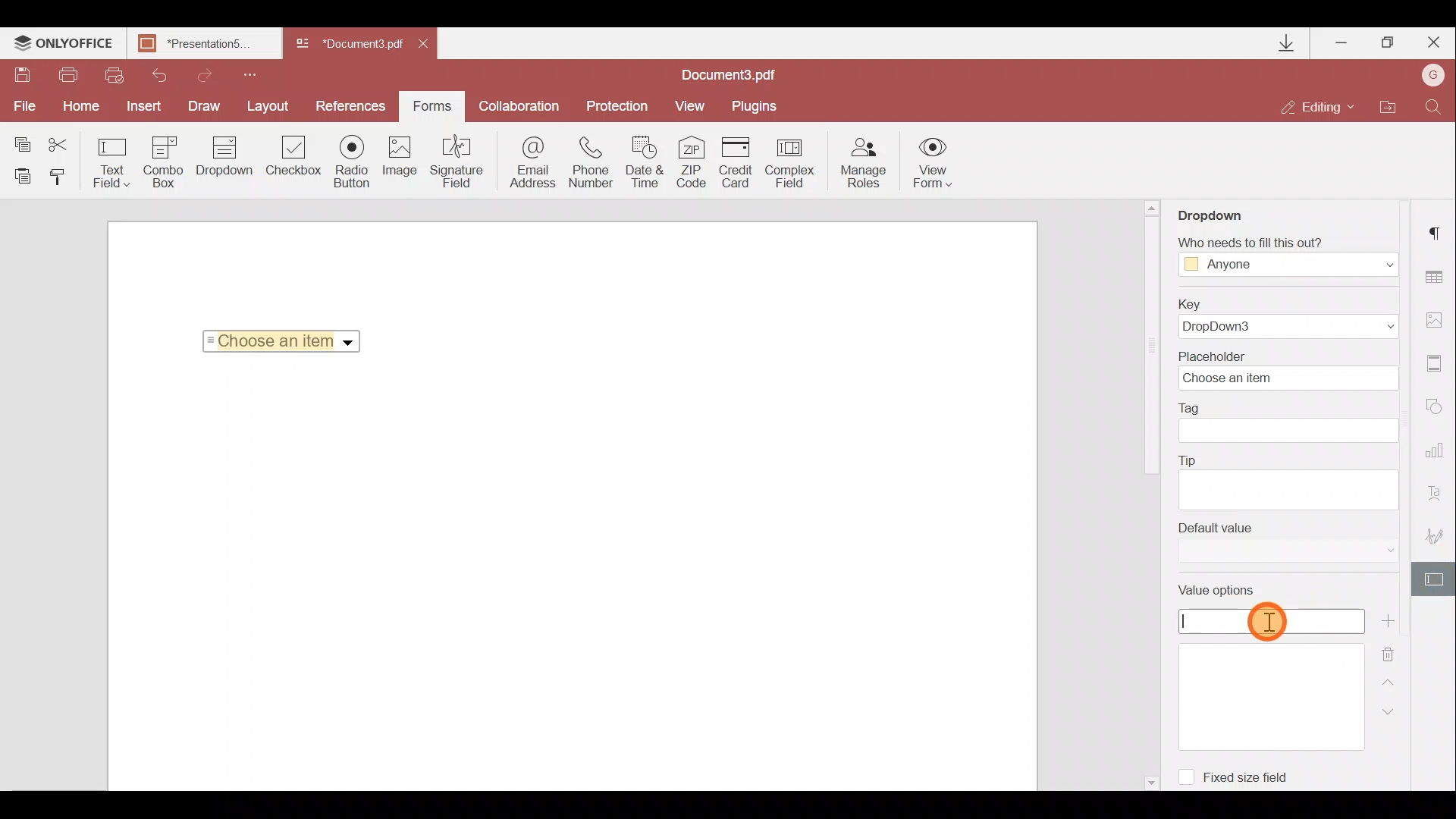 This screenshot has height=819, width=1456. What do you see at coordinates (1285, 257) in the screenshot?
I see `Fill Access` at bounding box center [1285, 257].